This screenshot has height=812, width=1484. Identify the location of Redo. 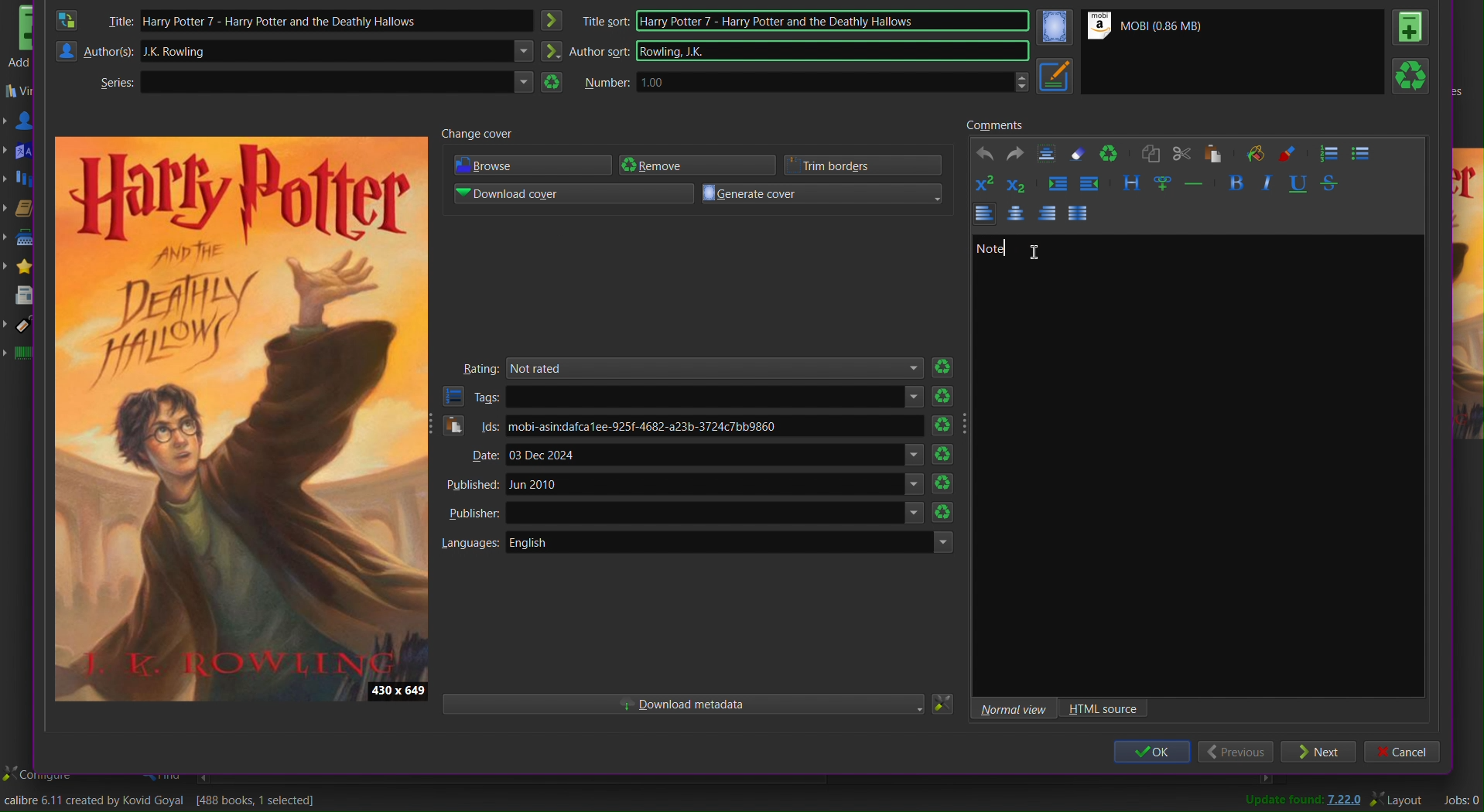
(1016, 153).